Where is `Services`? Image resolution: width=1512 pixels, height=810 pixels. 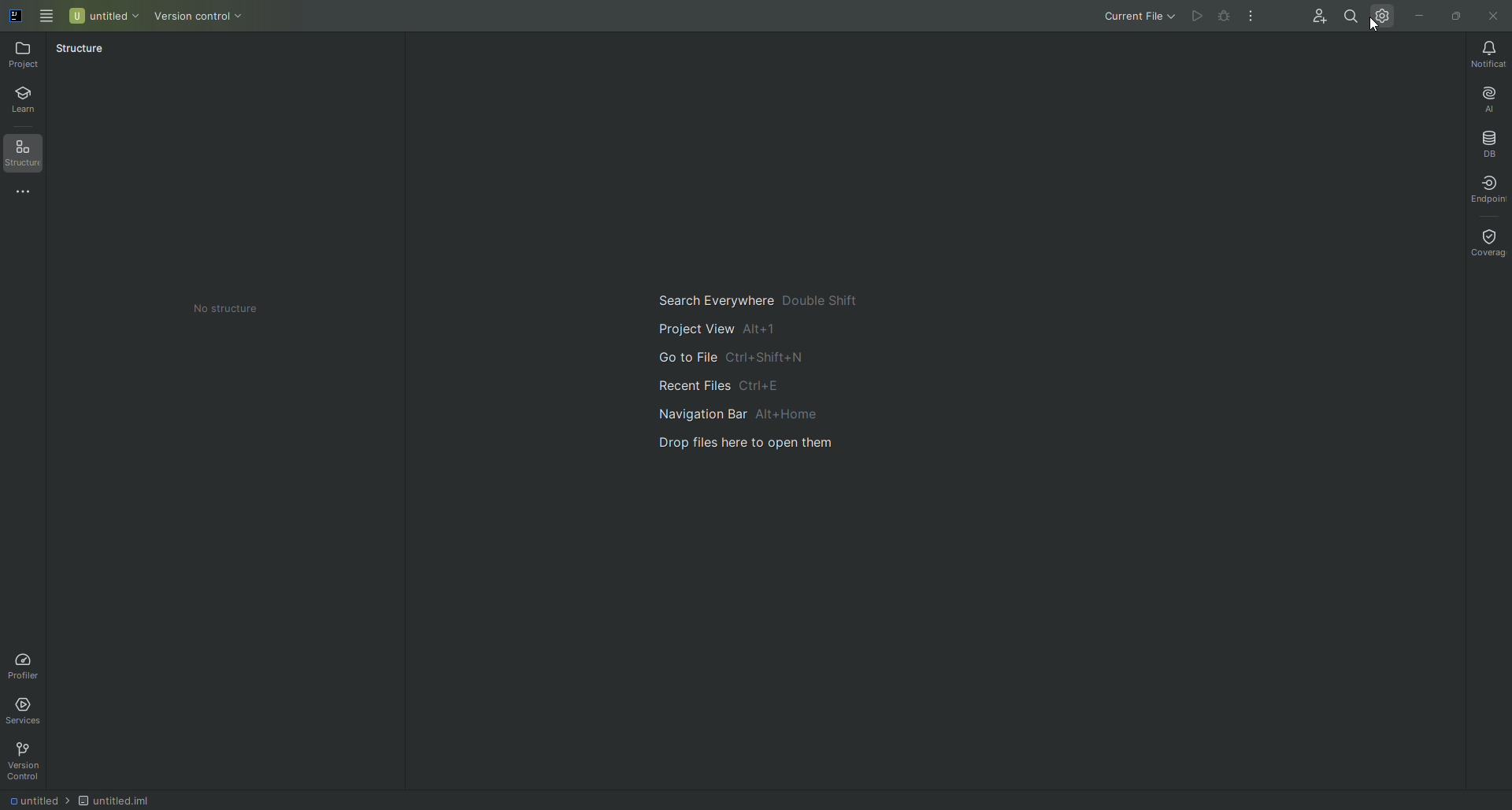 Services is located at coordinates (24, 713).